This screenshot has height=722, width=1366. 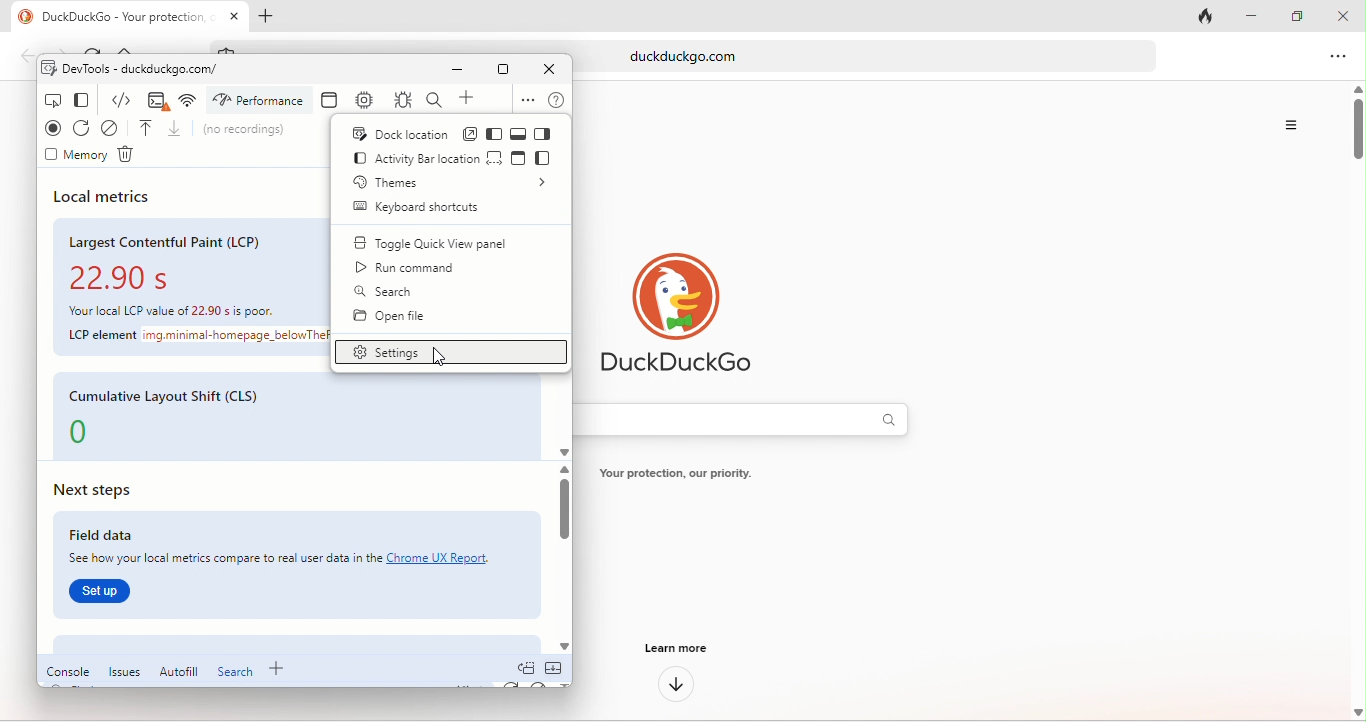 What do you see at coordinates (556, 665) in the screenshot?
I see `collapse` at bounding box center [556, 665].